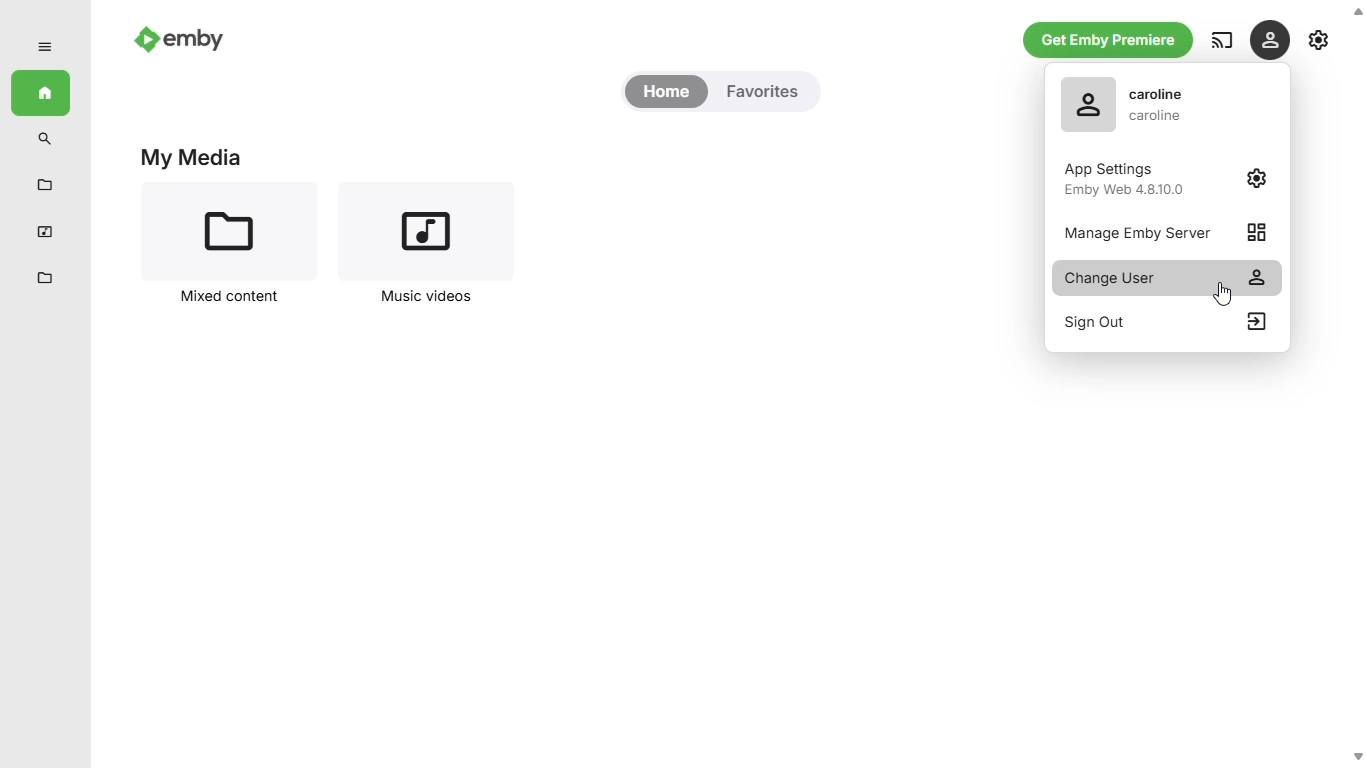 This screenshot has height=768, width=1366. I want to click on music videos, so click(422, 246).